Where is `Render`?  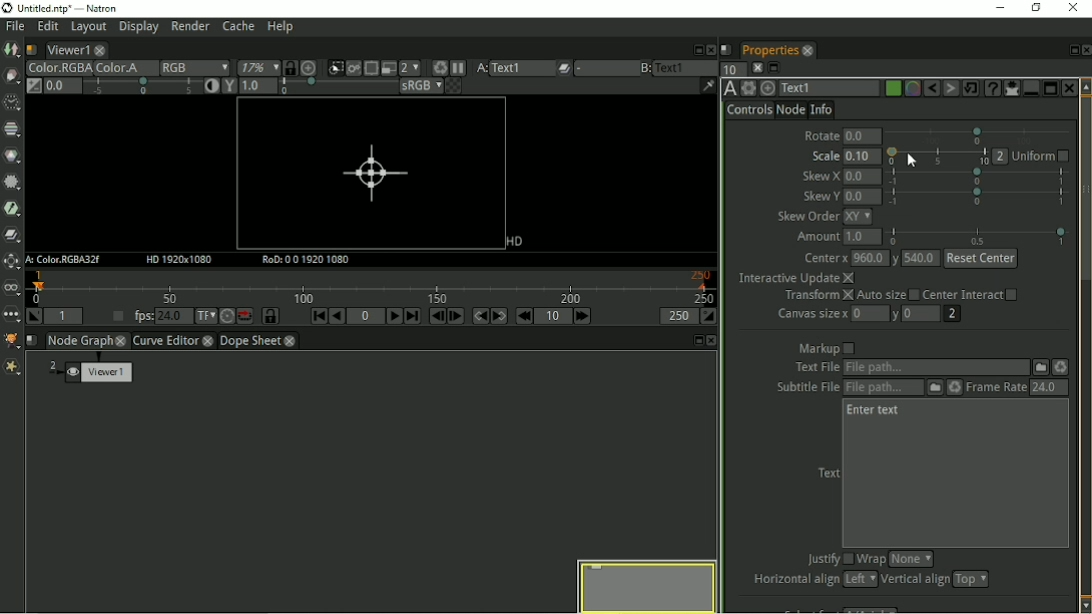
Render is located at coordinates (190, 27).